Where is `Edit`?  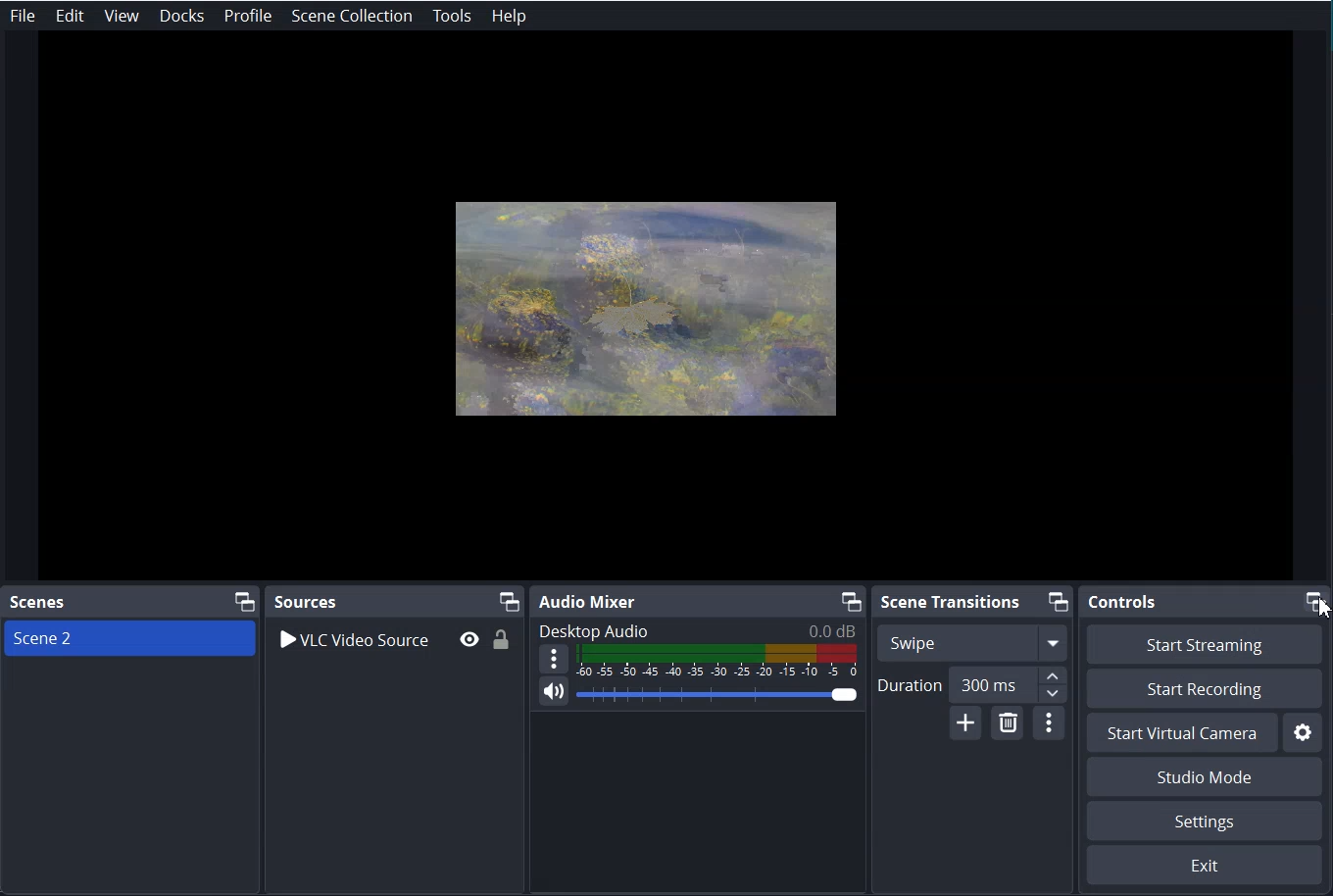 Edit is located at coordinates (69, 16).